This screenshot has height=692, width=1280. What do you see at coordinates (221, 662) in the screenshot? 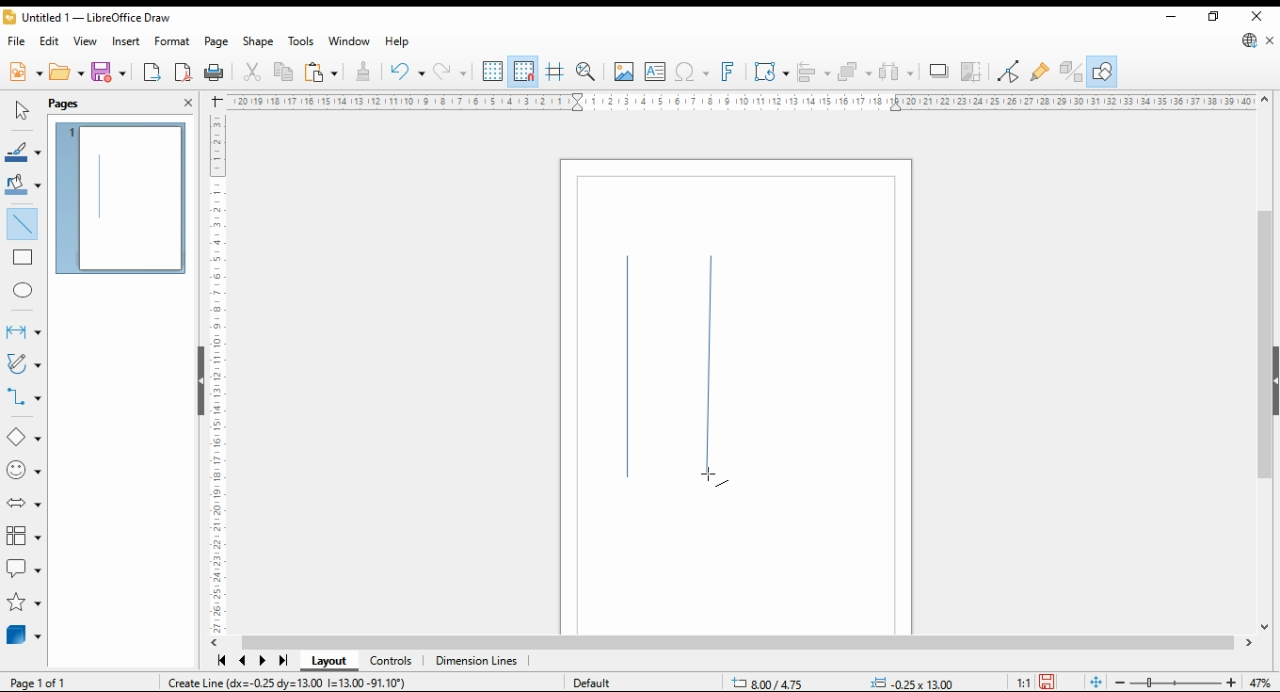
I see `first page` at bounding box center [221, 662].